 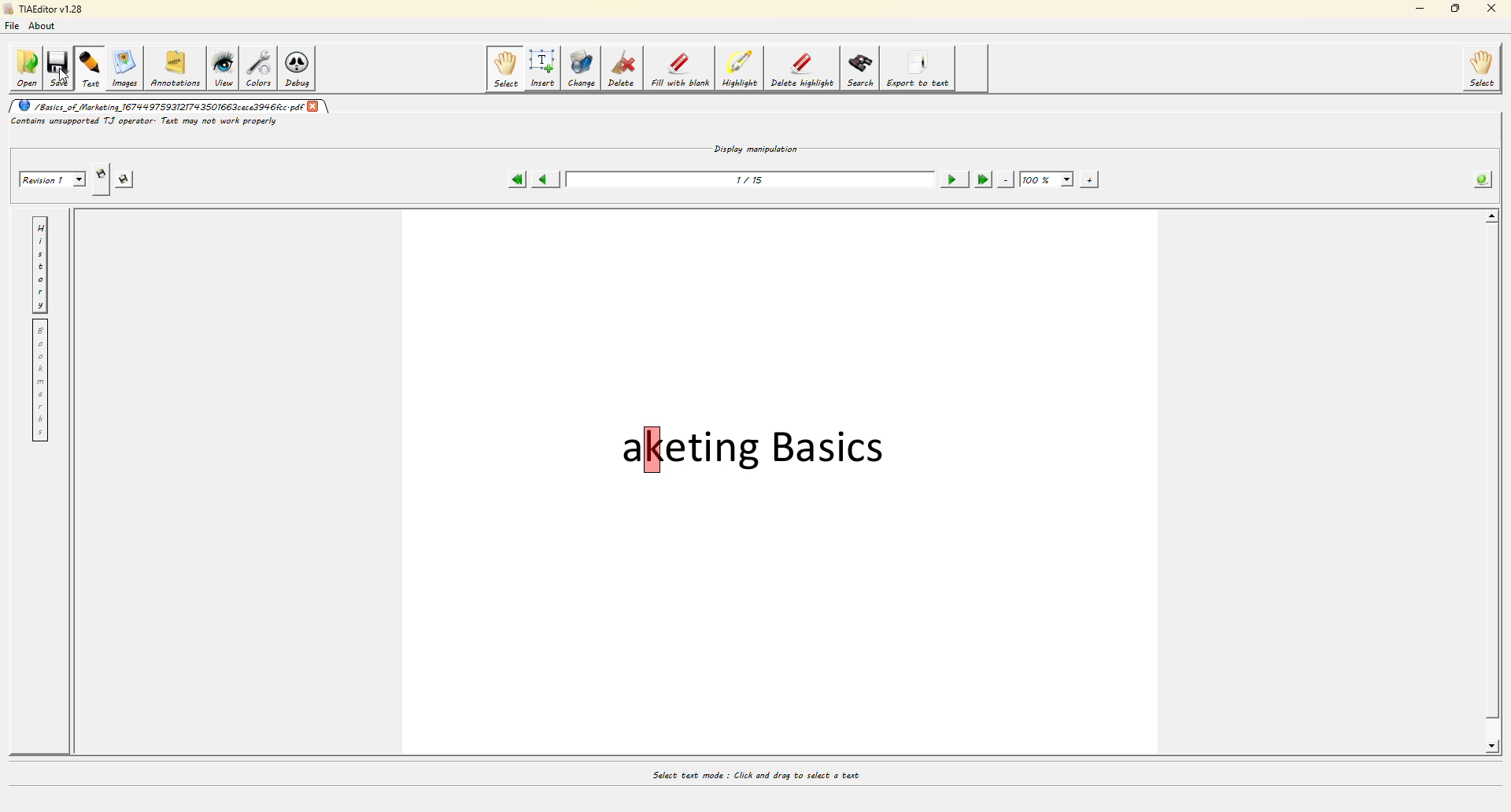 What do you see at coordinates (314, 104) in the screenshot?
I see `close` at bounding box center [314, 104].